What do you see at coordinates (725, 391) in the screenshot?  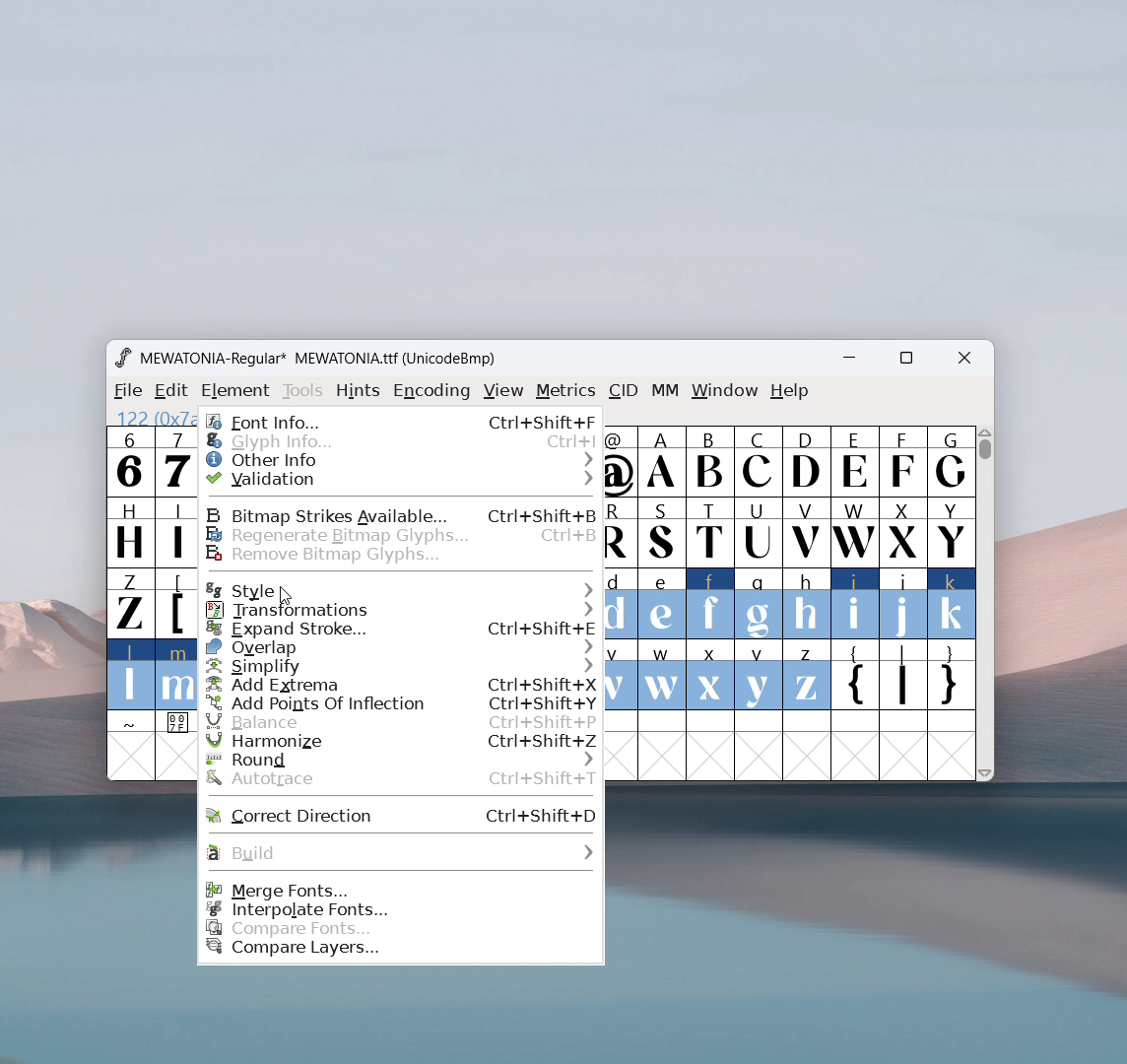 I see `window` at bounding box center [725, 391].